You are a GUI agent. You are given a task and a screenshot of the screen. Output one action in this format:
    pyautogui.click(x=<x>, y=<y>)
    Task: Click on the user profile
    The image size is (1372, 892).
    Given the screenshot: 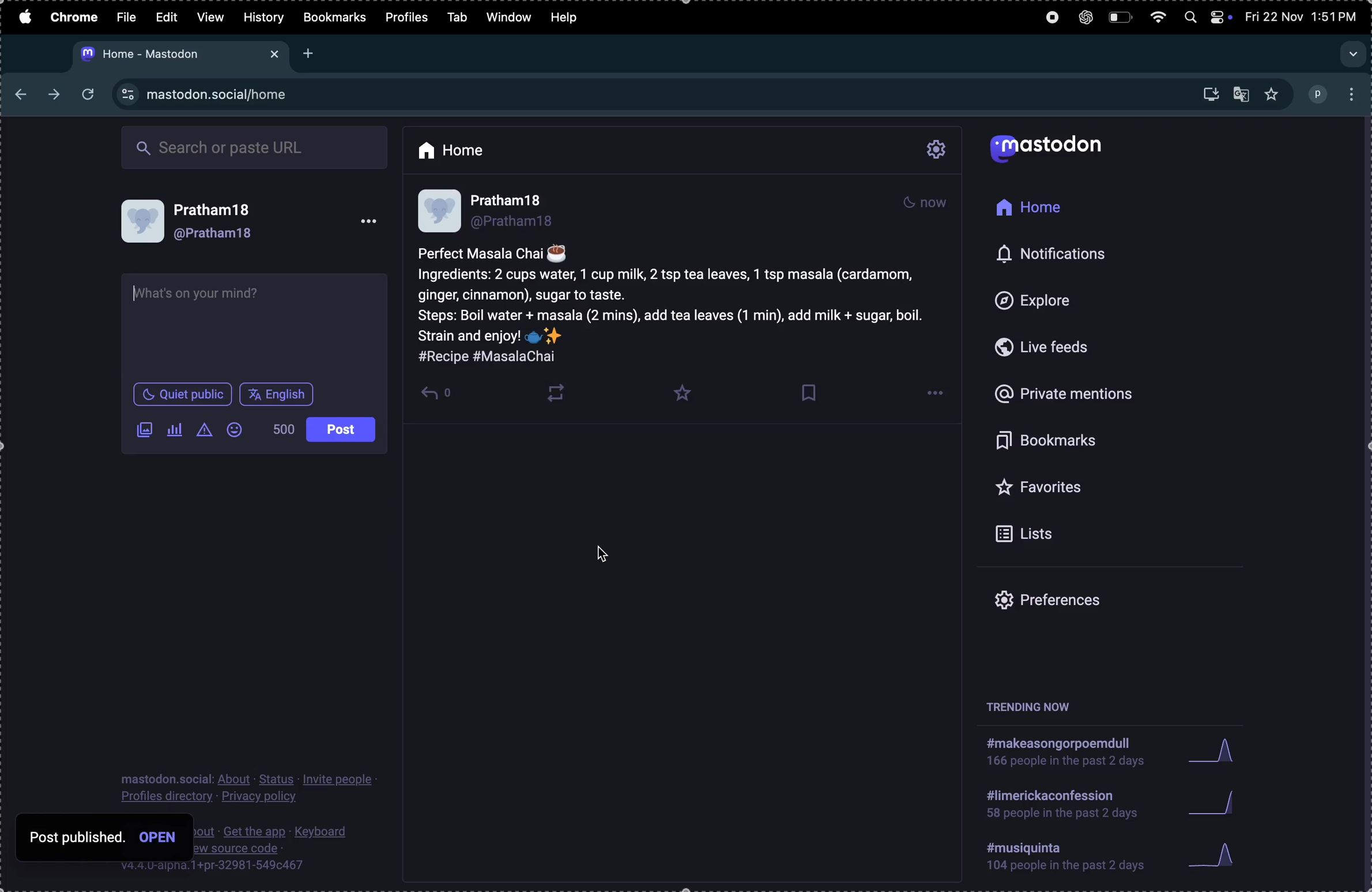 What is the action you would take?
    pyautogui.click(x=252, y=221)
    